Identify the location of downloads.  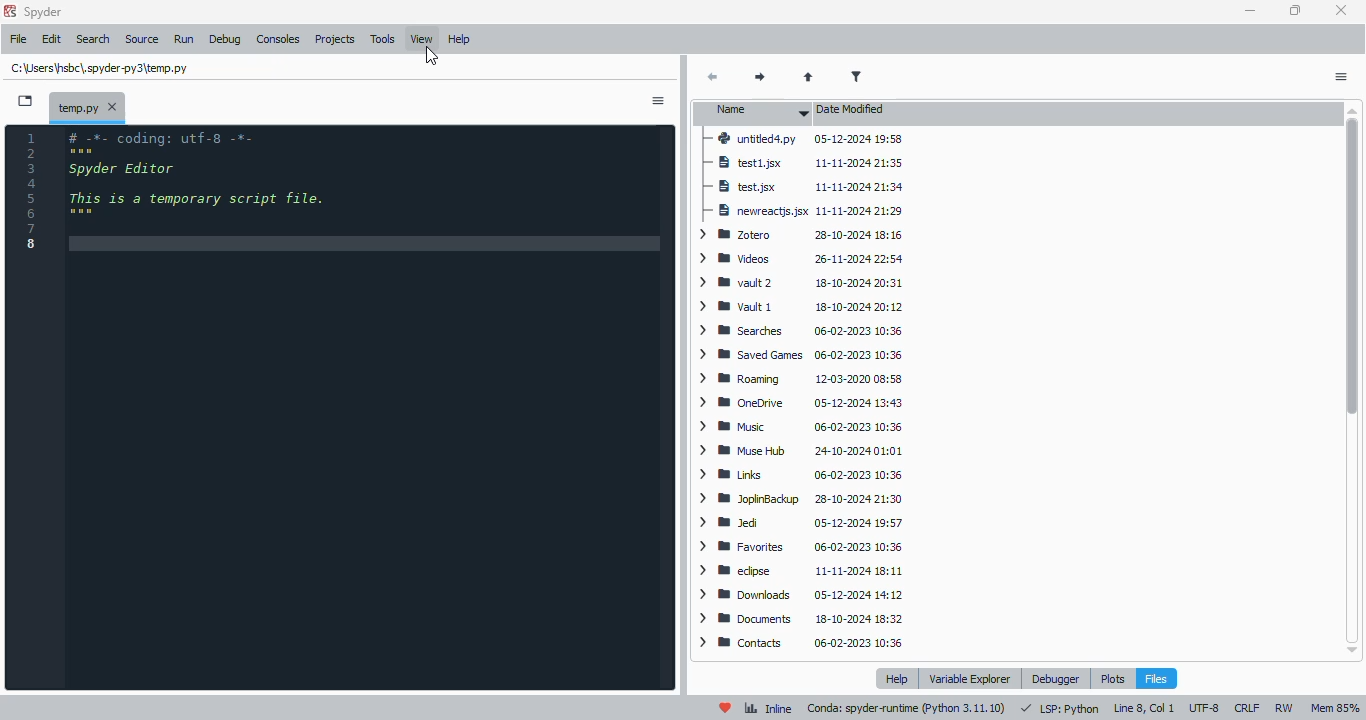
(802, 594).